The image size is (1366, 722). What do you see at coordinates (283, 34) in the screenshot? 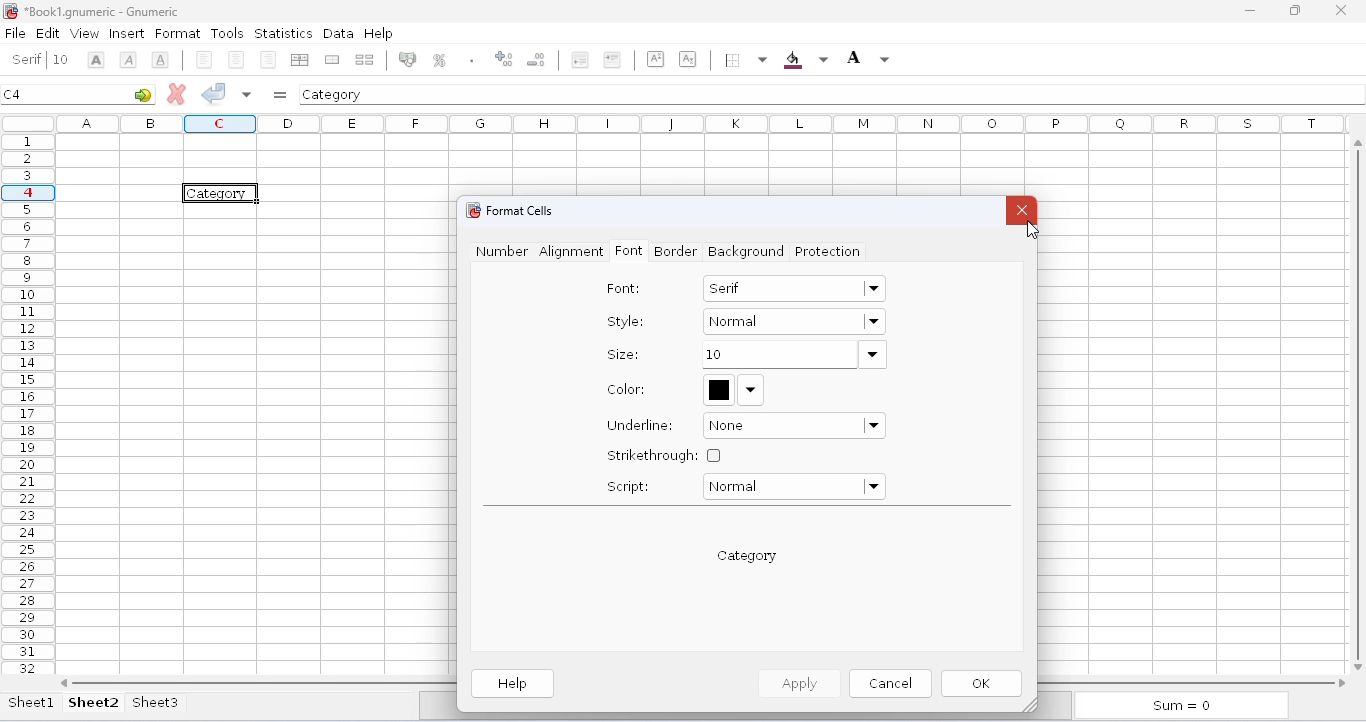
I see `statistics` at bounding box center [283, 34].